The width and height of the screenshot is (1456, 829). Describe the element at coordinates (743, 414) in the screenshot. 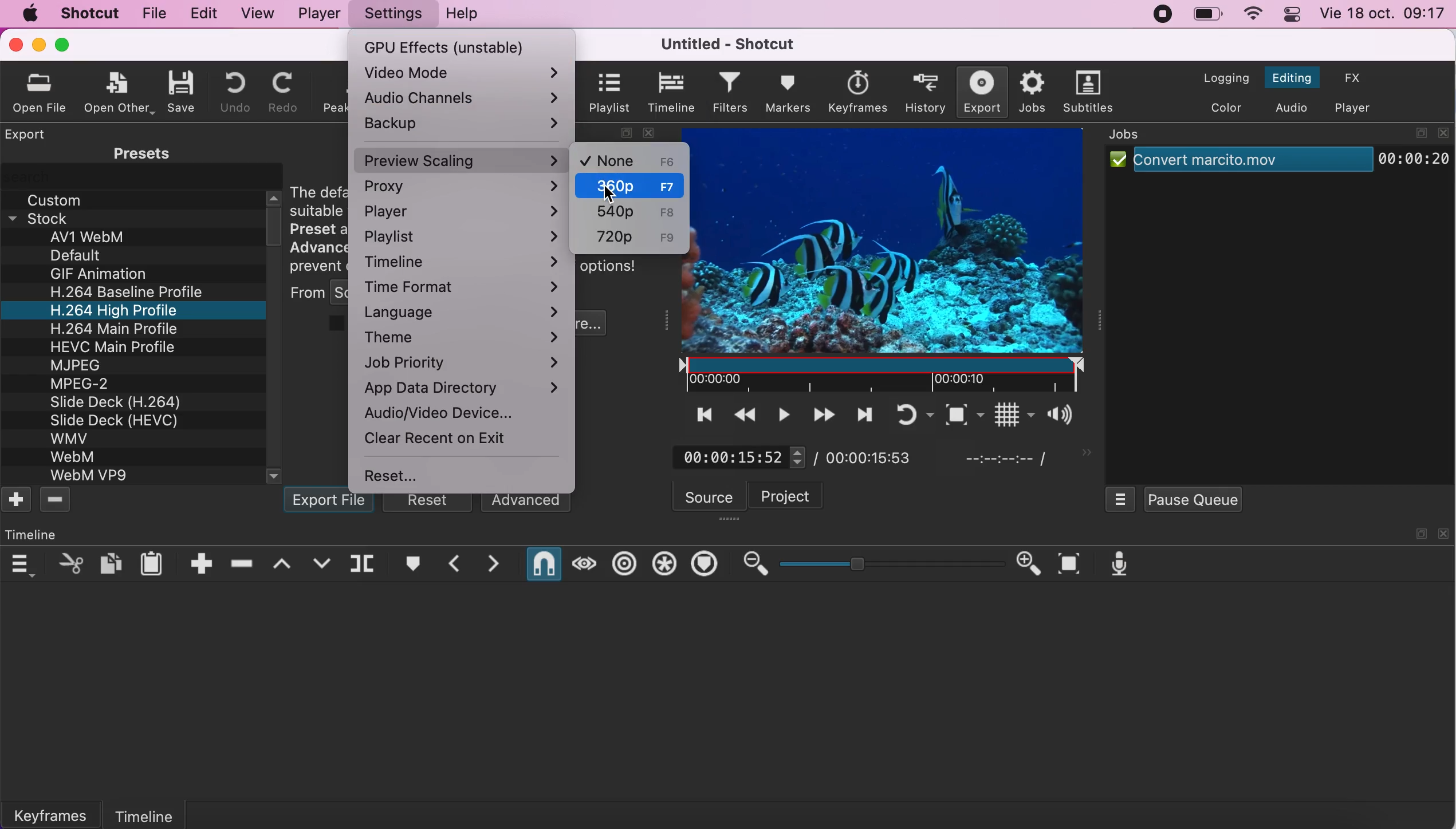

I see `play quickly backwards` at that location.